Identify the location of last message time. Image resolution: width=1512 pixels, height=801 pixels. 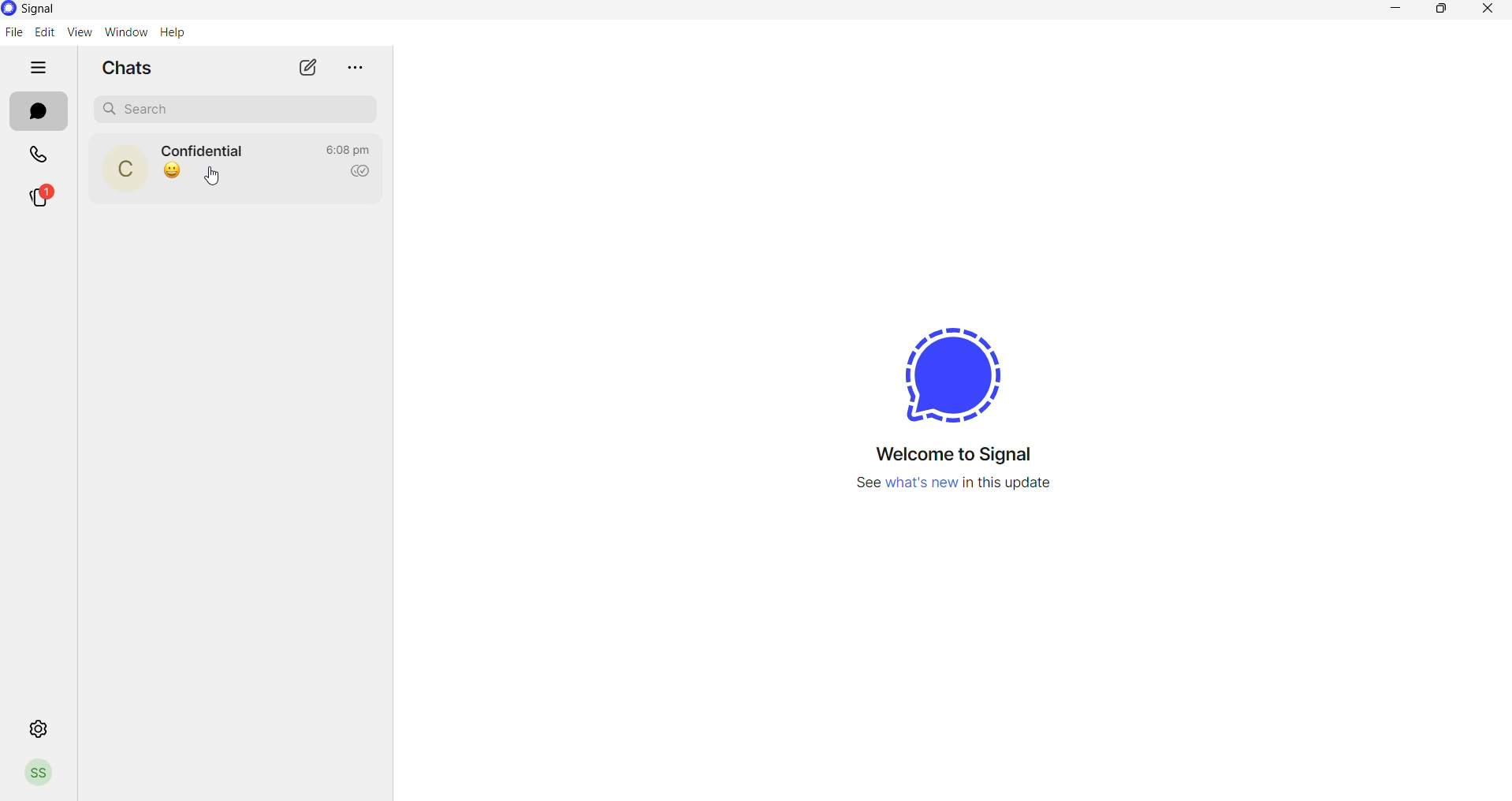
(348, 149).